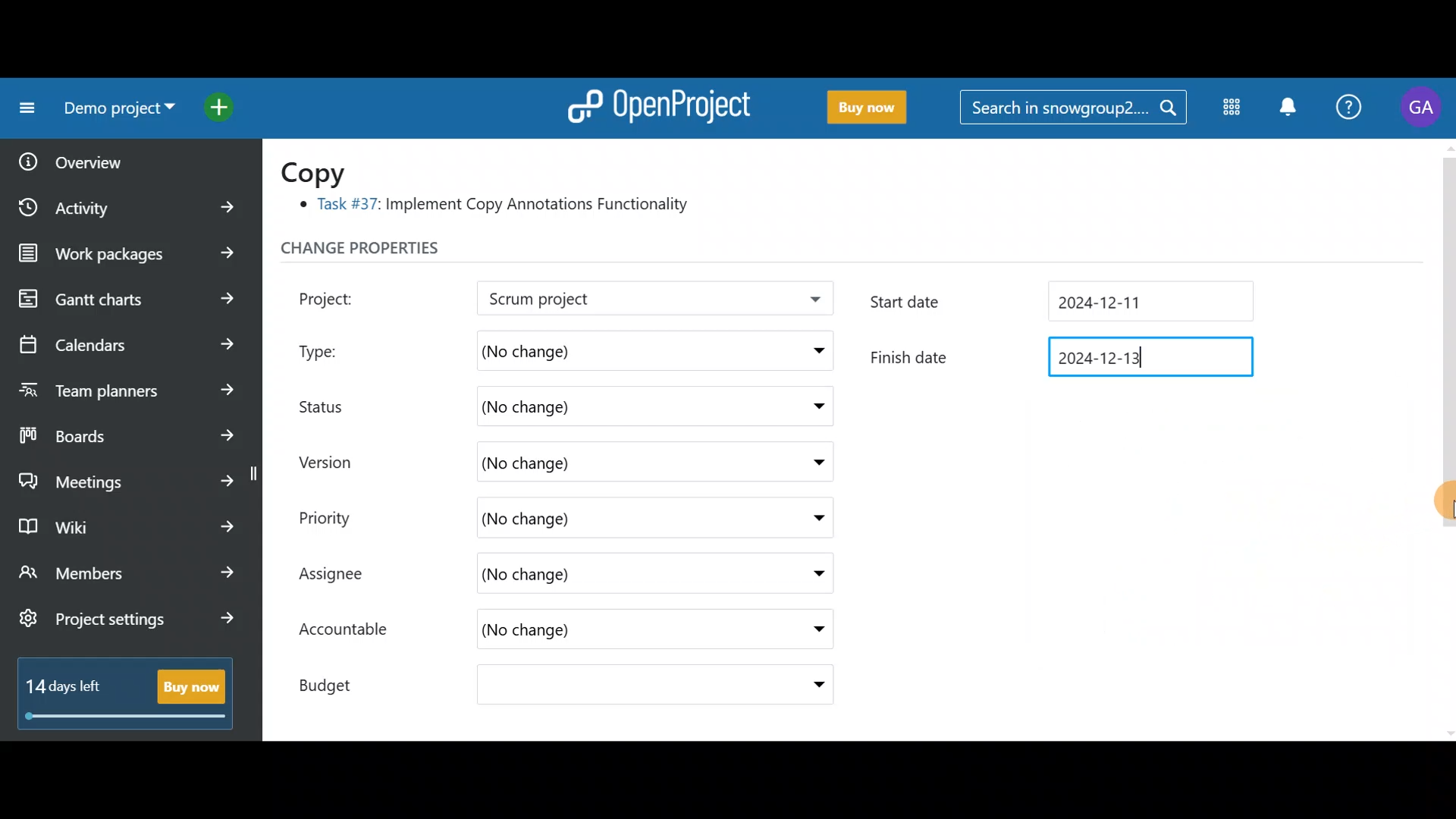  What do you see at coordinates (391, 252) in the screenshot?
I see `Change properties` at bounding box center [391, 252].